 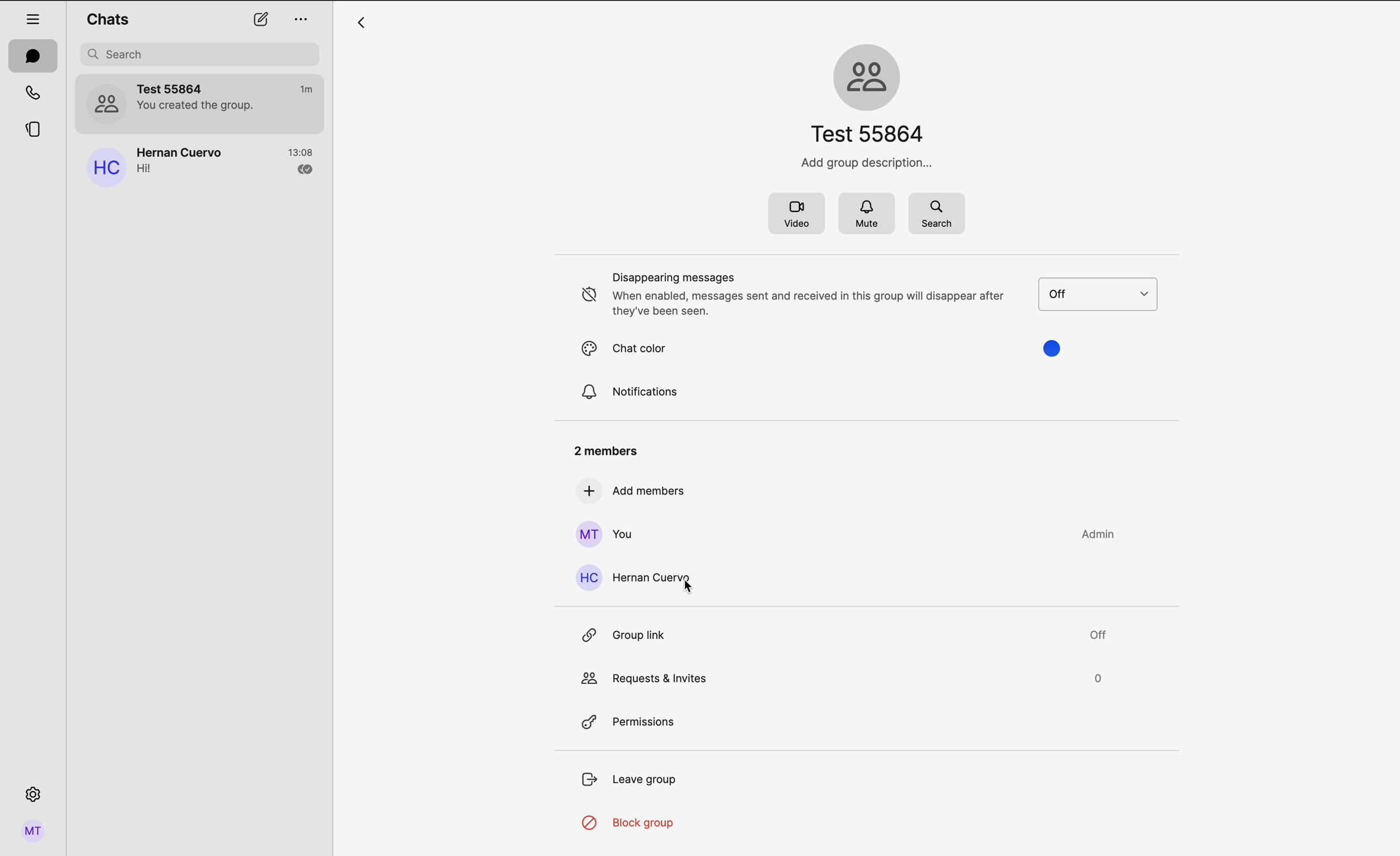 I want to click on block group, so click(x=628, y=824).